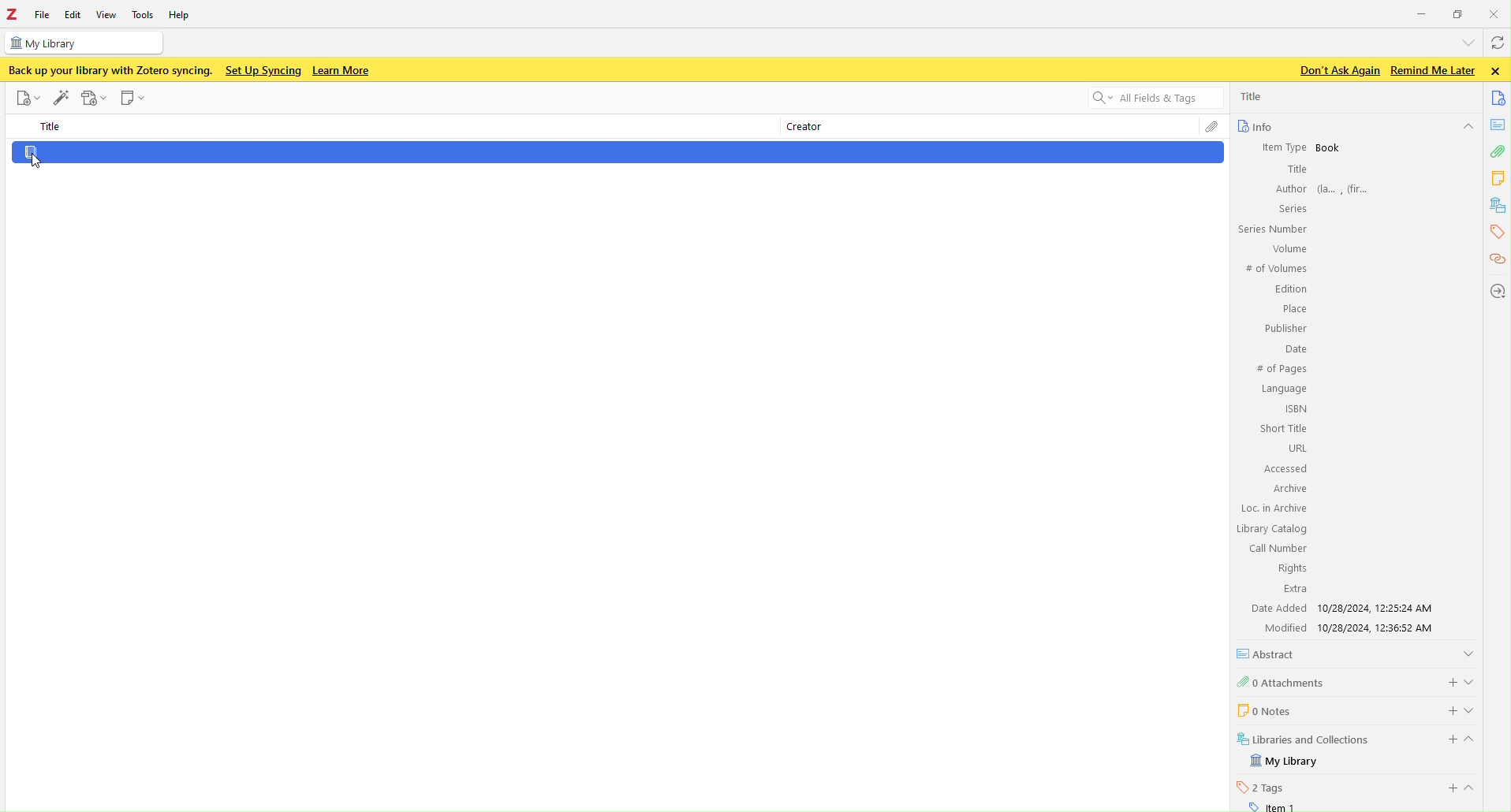  I want to click on tools bar, so click(1492, 194).